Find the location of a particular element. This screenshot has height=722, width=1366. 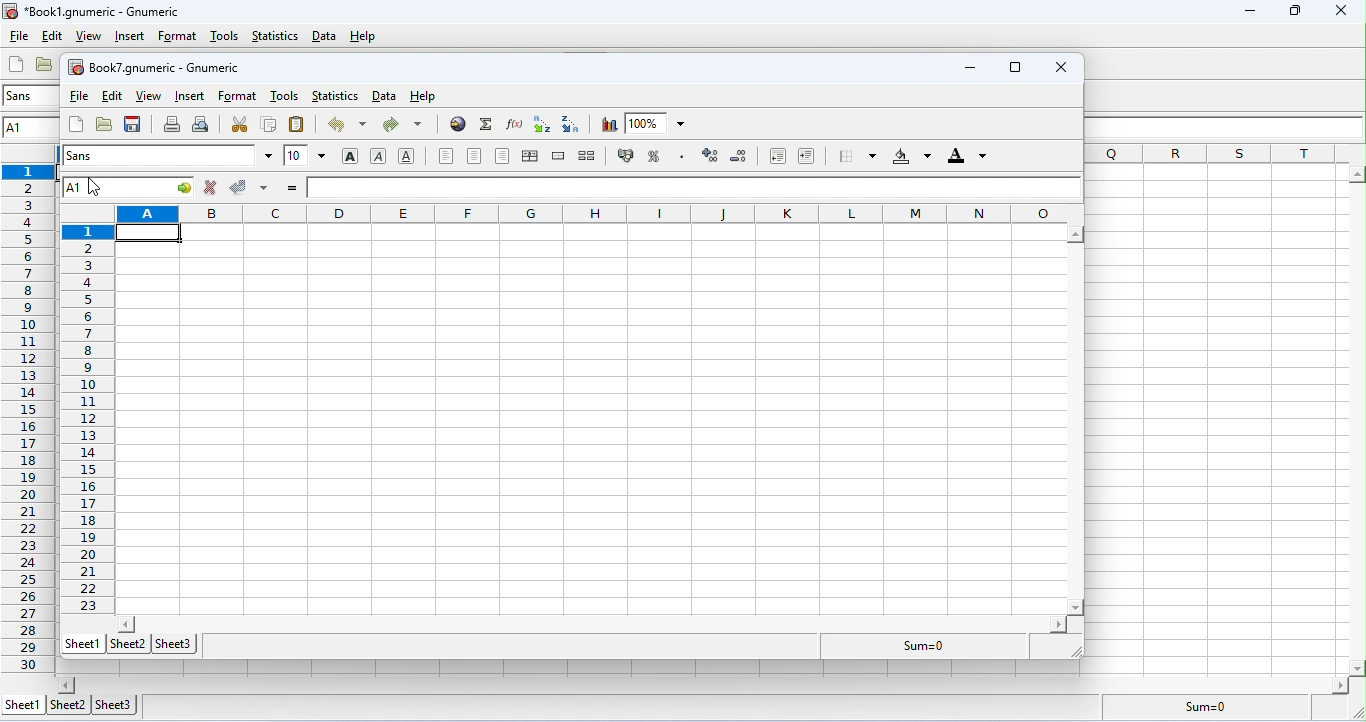

column headings is located at coordinates (1225, 154).